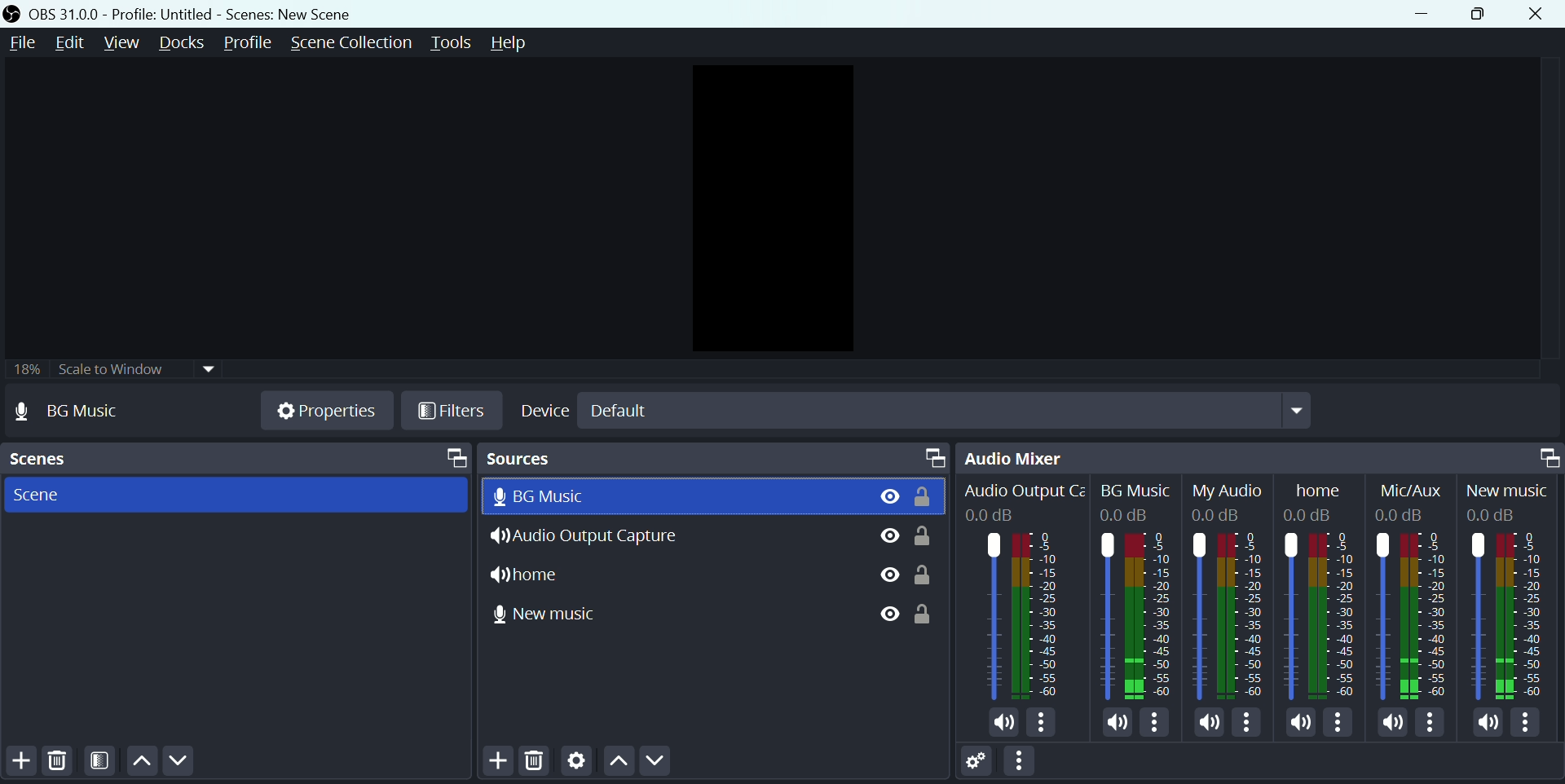 Image resolution: width=1565 pixels, height=784 pixels. Describe the element at coordinates (581, 617) in the screenshot. I see `New Music` at that location.